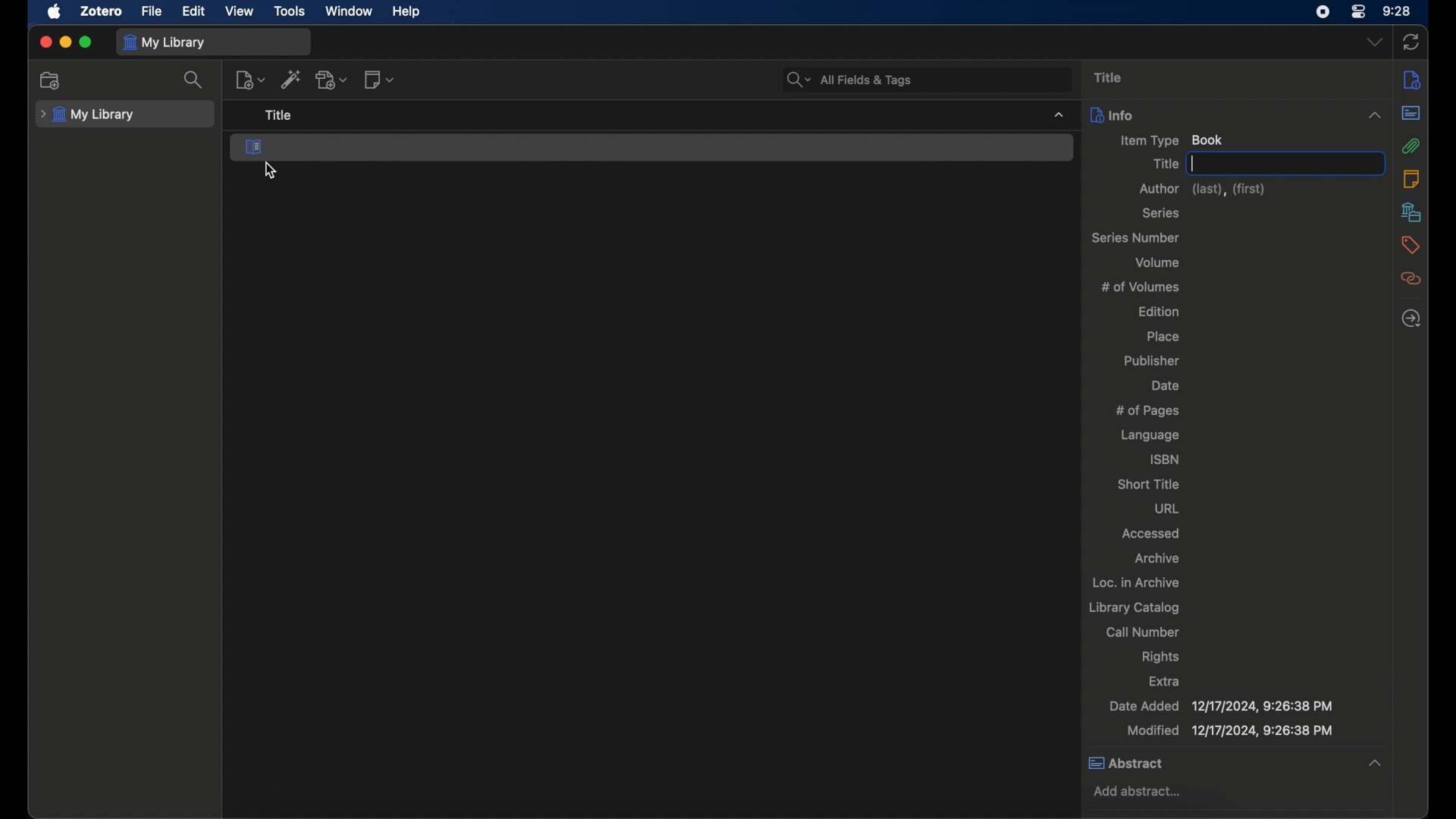 This screenshot has height=819, width=1456. What do you see at coordinates (1161, 212) in the screenshot?
I see `series` at bounding box center [1161, 212].